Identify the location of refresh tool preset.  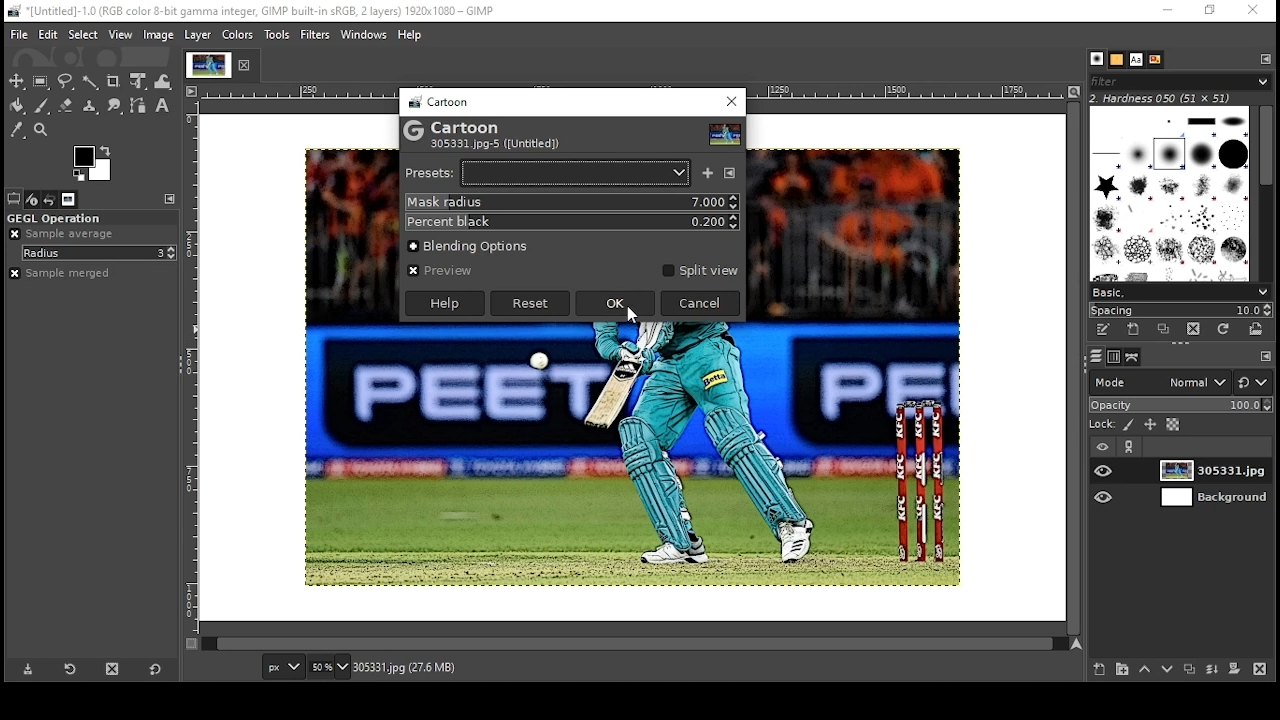
(71, 670).